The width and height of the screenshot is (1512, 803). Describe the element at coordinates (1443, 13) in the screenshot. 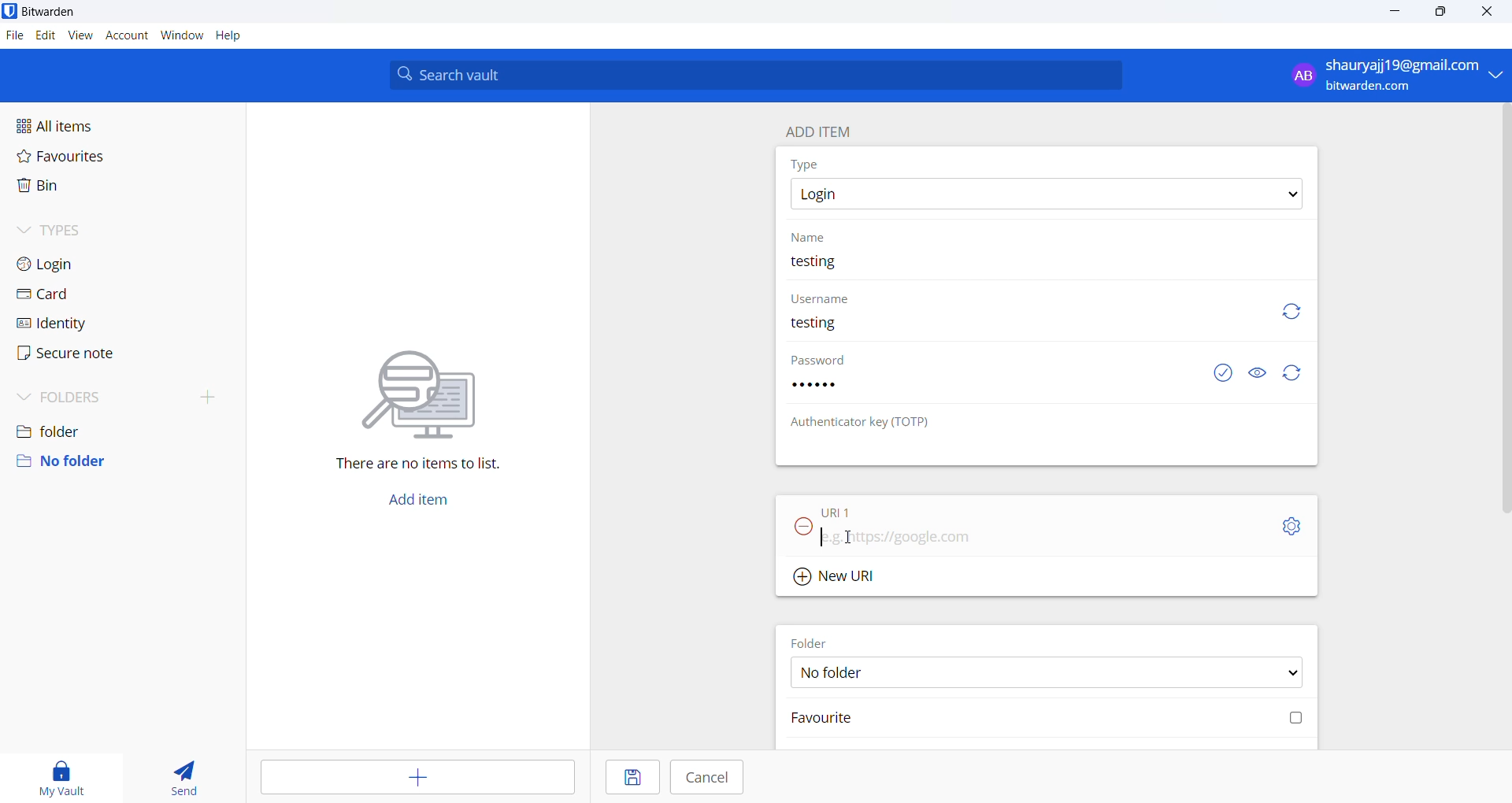

I see `maximize` at that location.